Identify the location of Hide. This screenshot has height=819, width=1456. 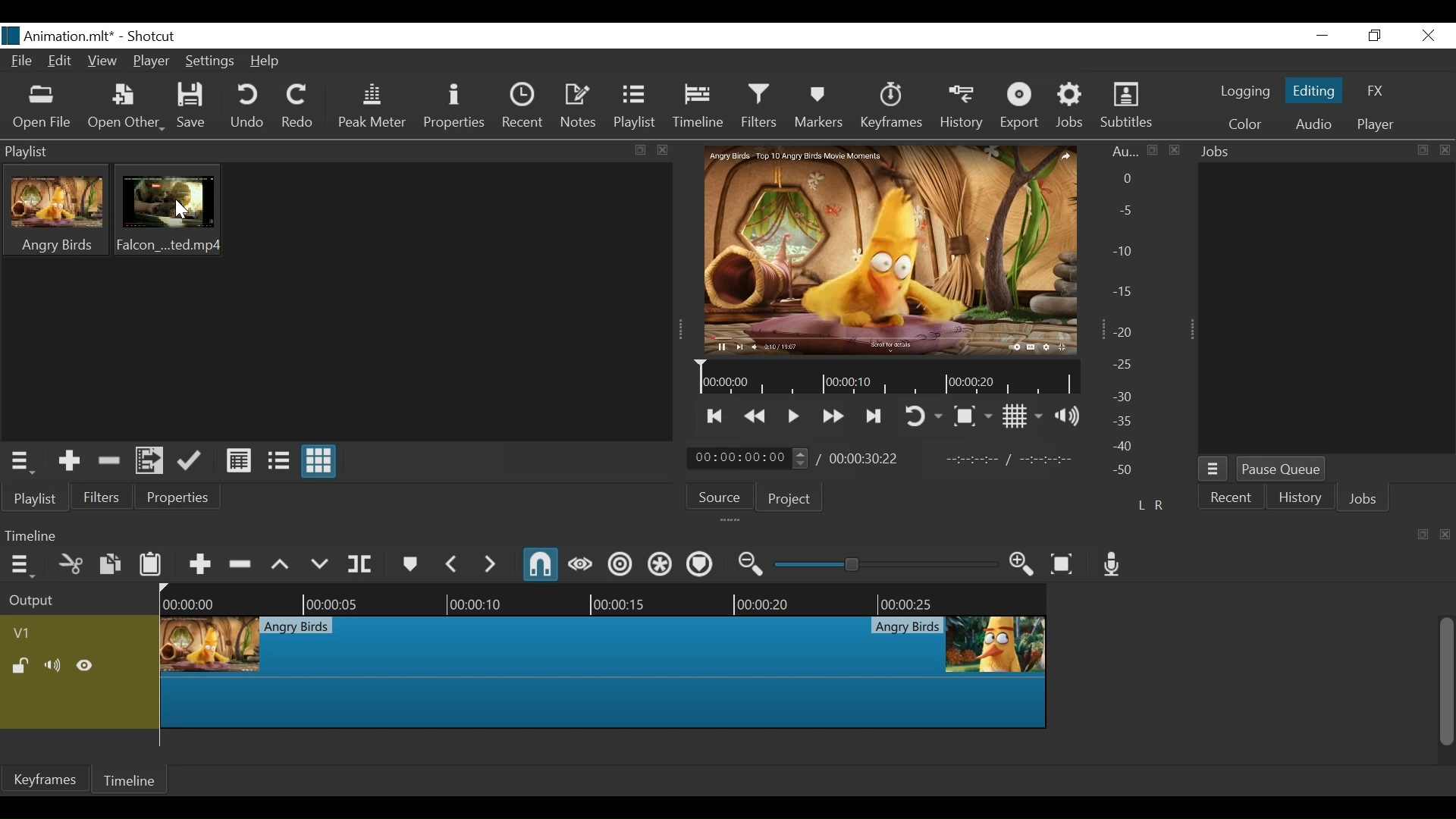
(86, 666).